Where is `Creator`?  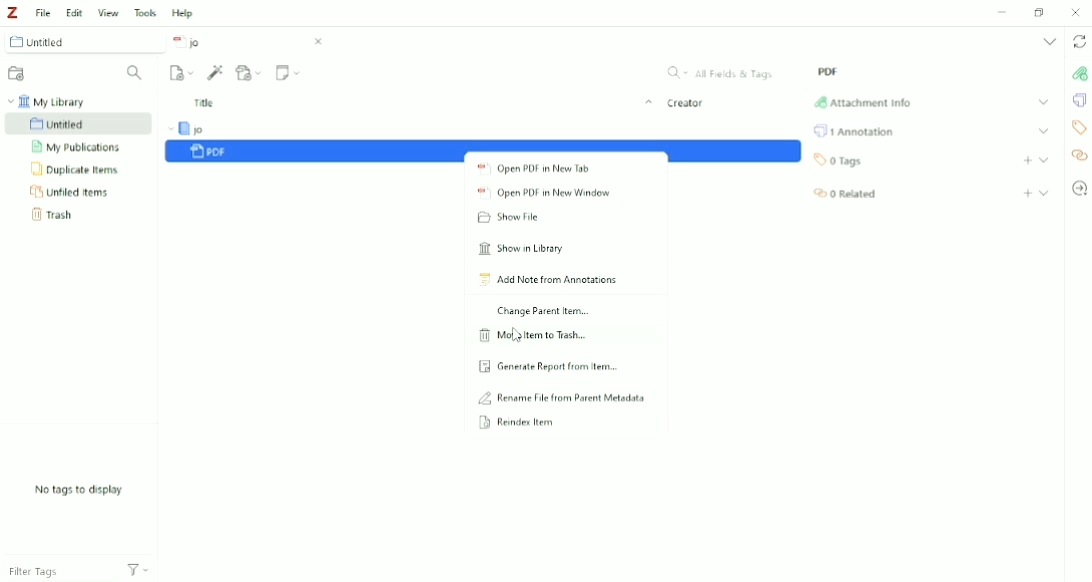
Creator is located at coordinates (688, 105).